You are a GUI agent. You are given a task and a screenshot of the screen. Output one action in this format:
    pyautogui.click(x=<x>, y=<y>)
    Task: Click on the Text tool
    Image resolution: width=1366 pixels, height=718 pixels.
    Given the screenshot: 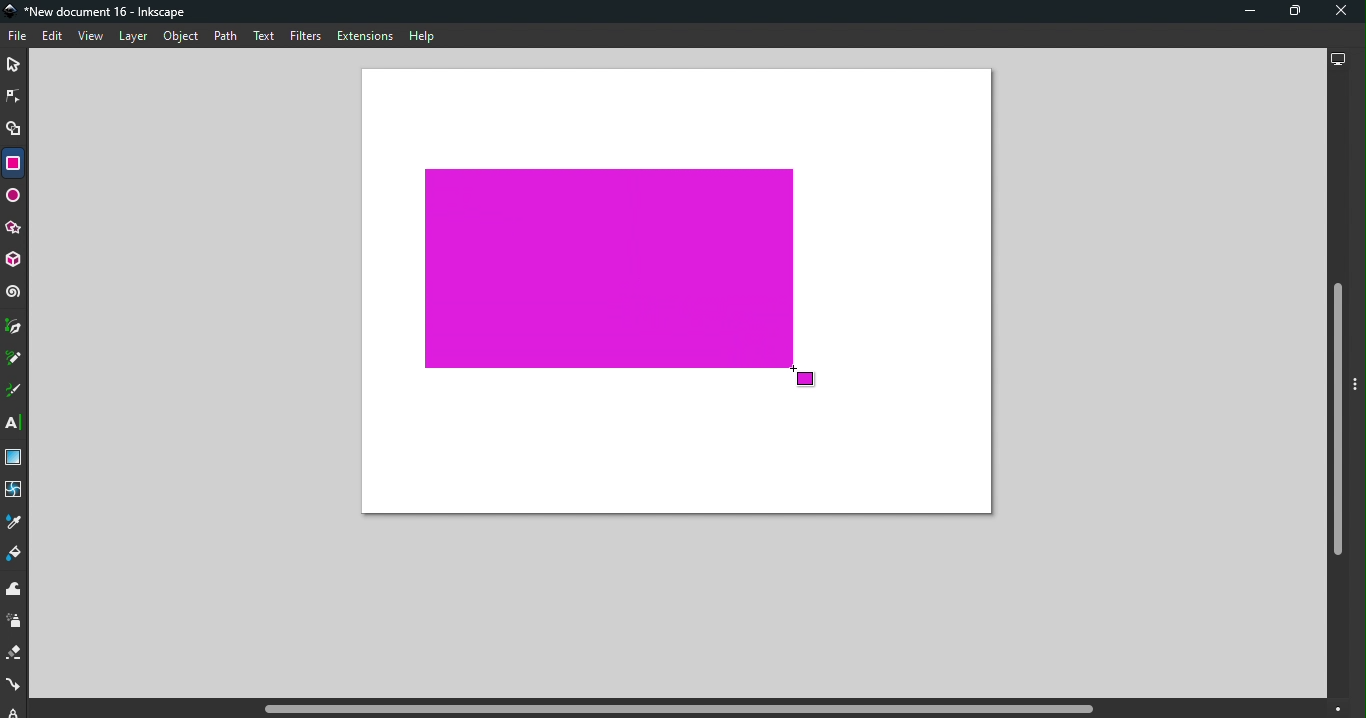 What is the action you would take?
    pyautogui.click(x=16, y=423)
    